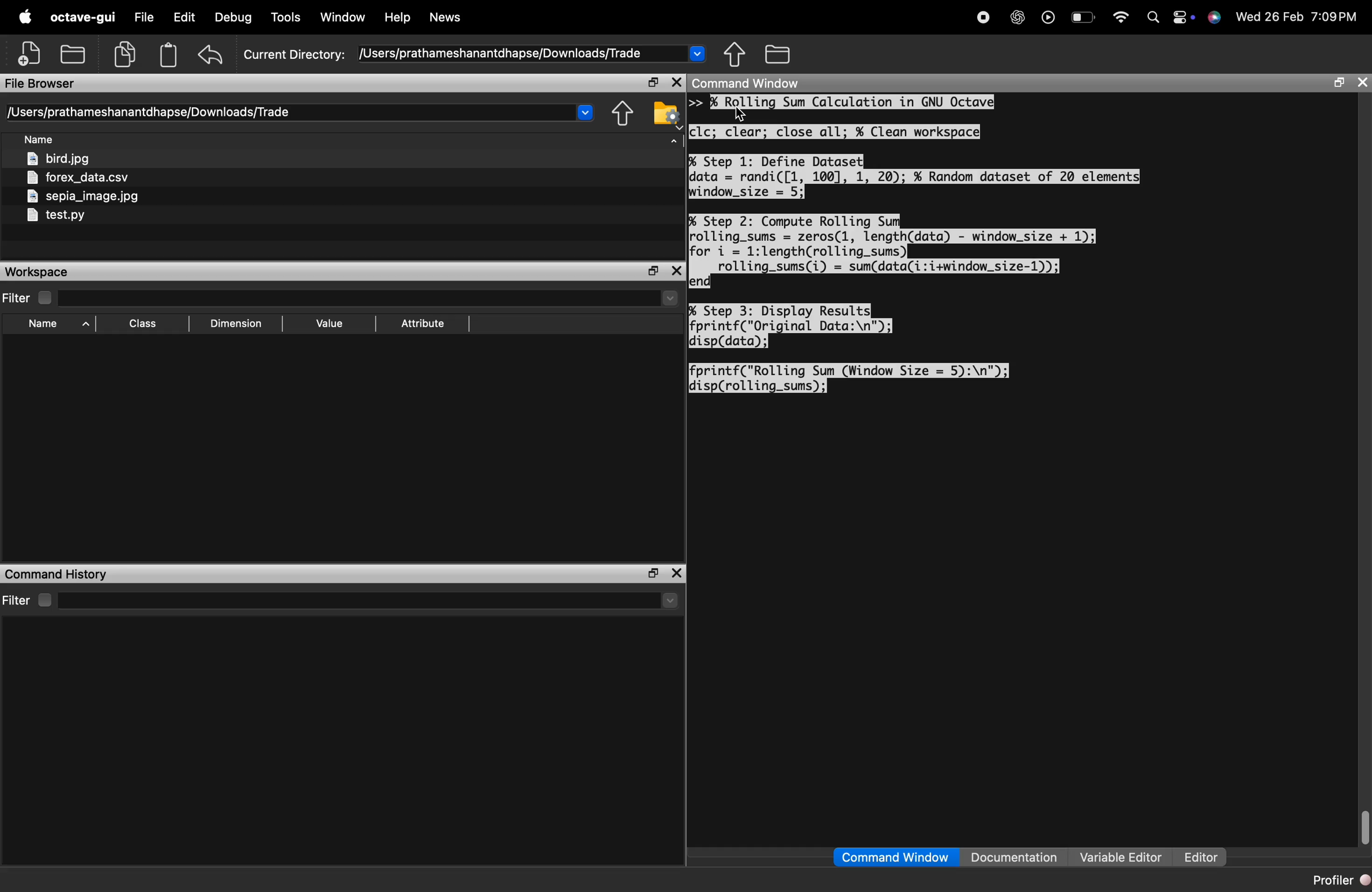 The width and height of the screenshot is (1372, 892). Describe the element at coordinates (57, 272) in the screenshot. I see `workspace` at that location.